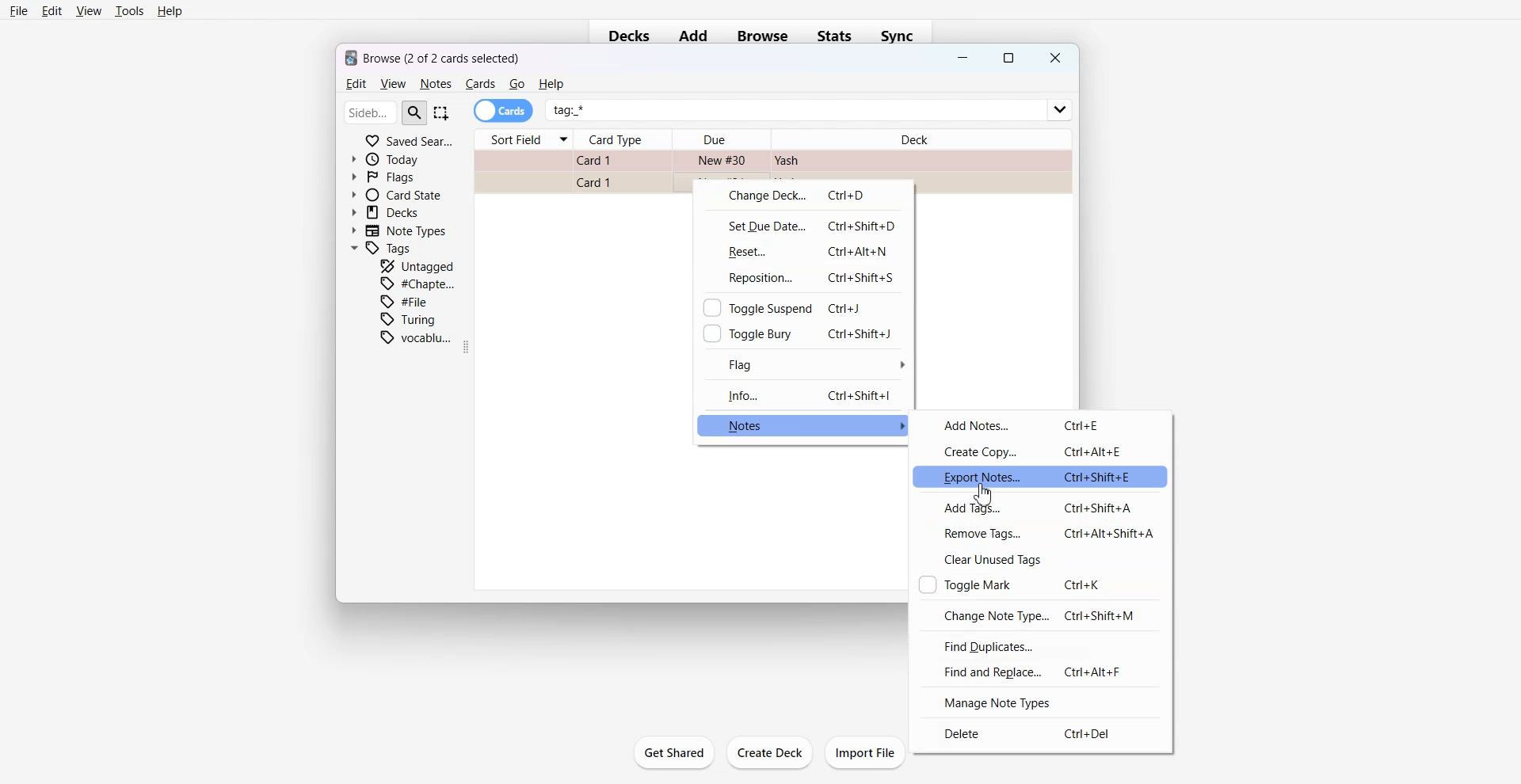  What do you see at coordinates (1037, 702) in the screenshot?
I see `Manage Note Types` at bounding box center [1037, 702].